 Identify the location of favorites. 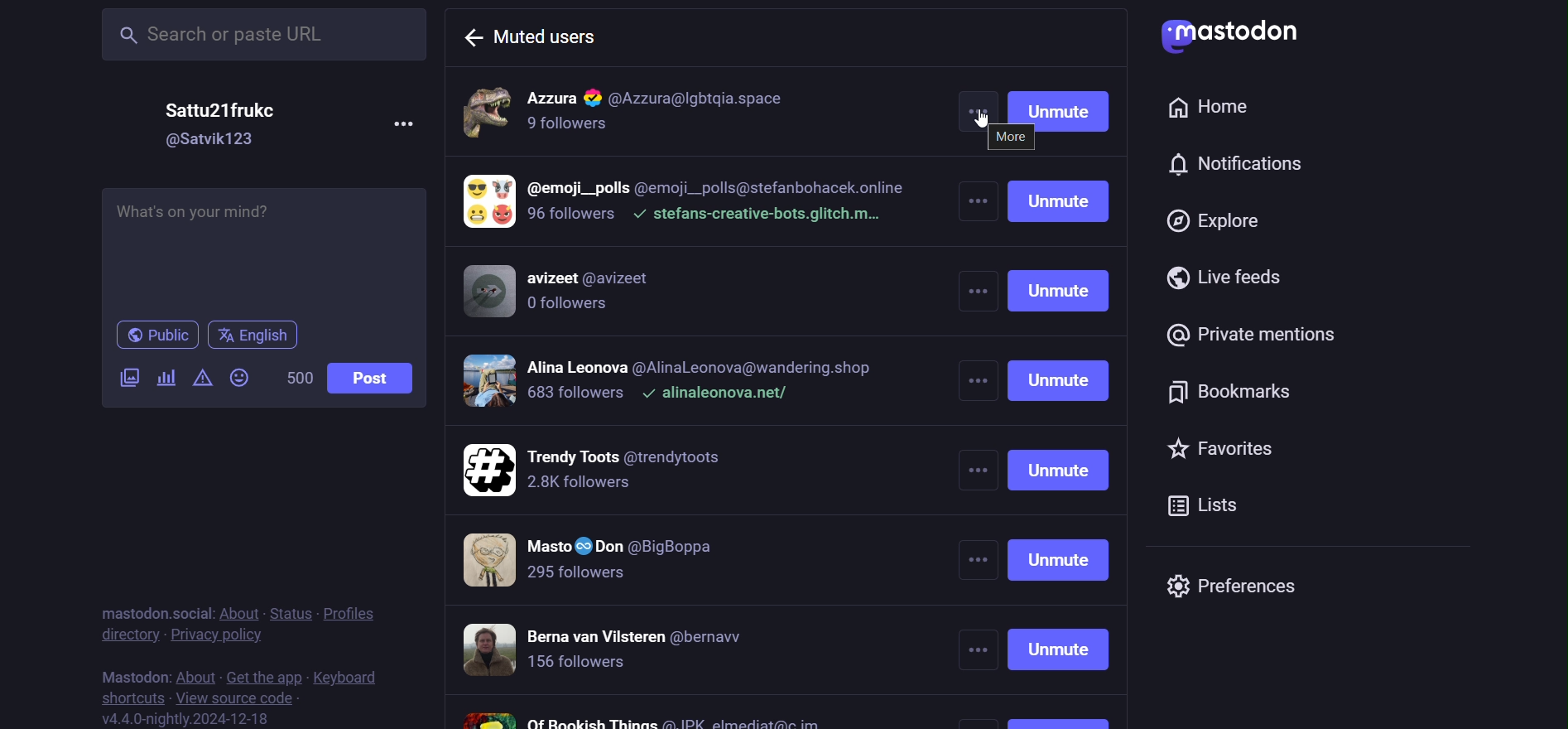
(1223, 451).